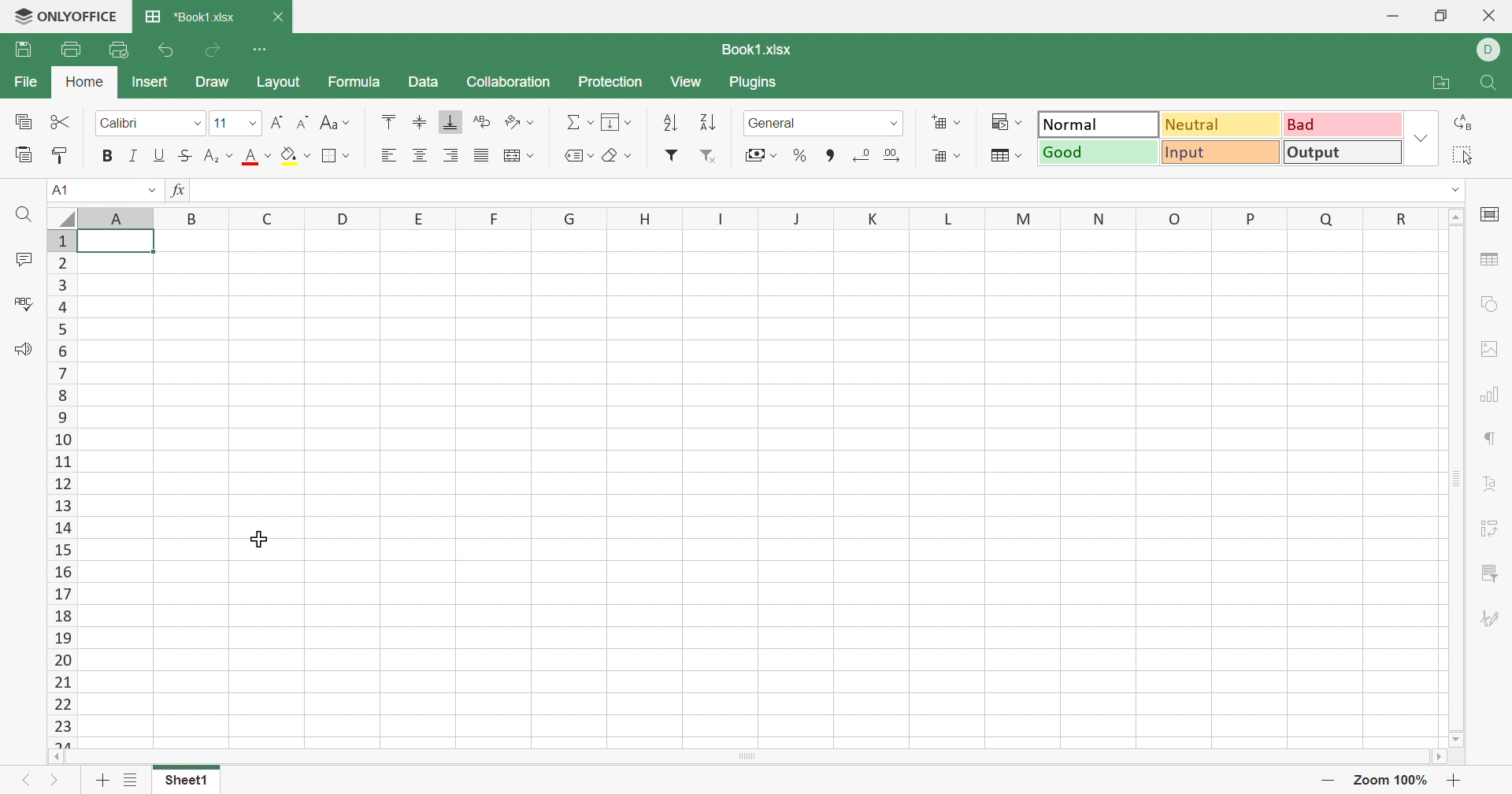 The height and width of the screenshot is (794, 1512). What do you see at coordinates (1097, 151) in the screenshot?
I see `Good` at bounding box center [1097, 151].